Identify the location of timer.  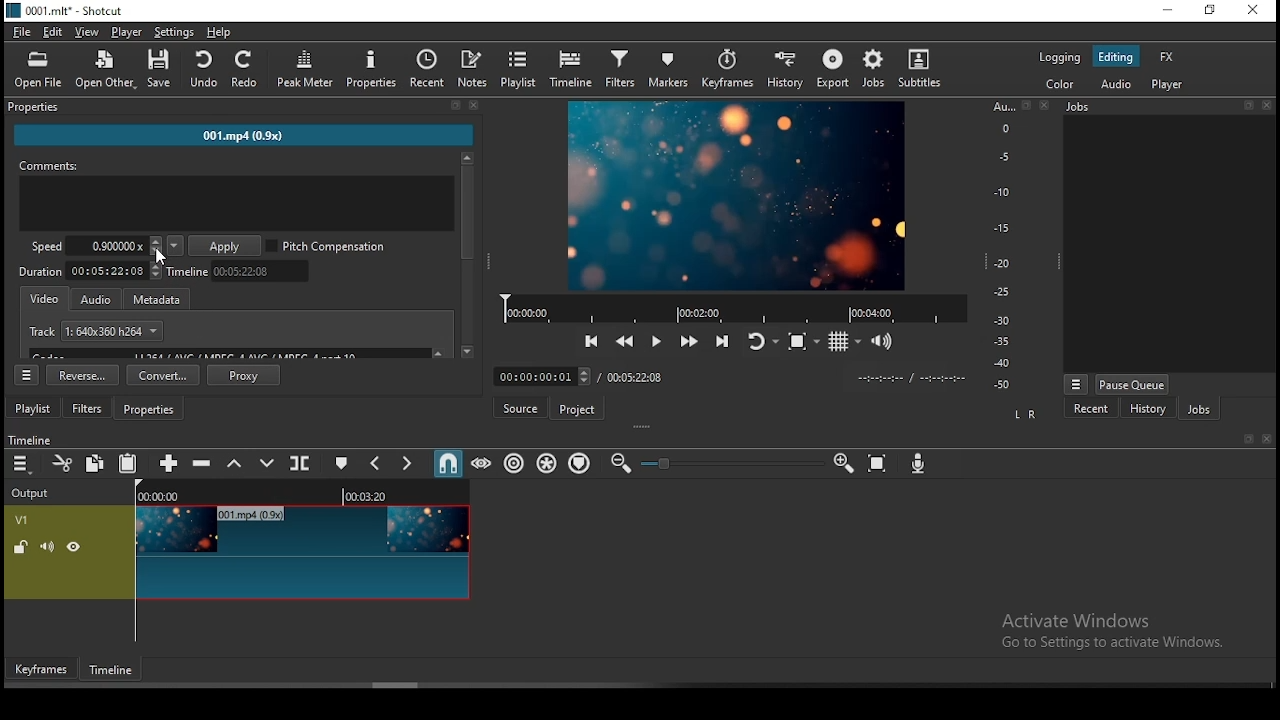
(910, 378).